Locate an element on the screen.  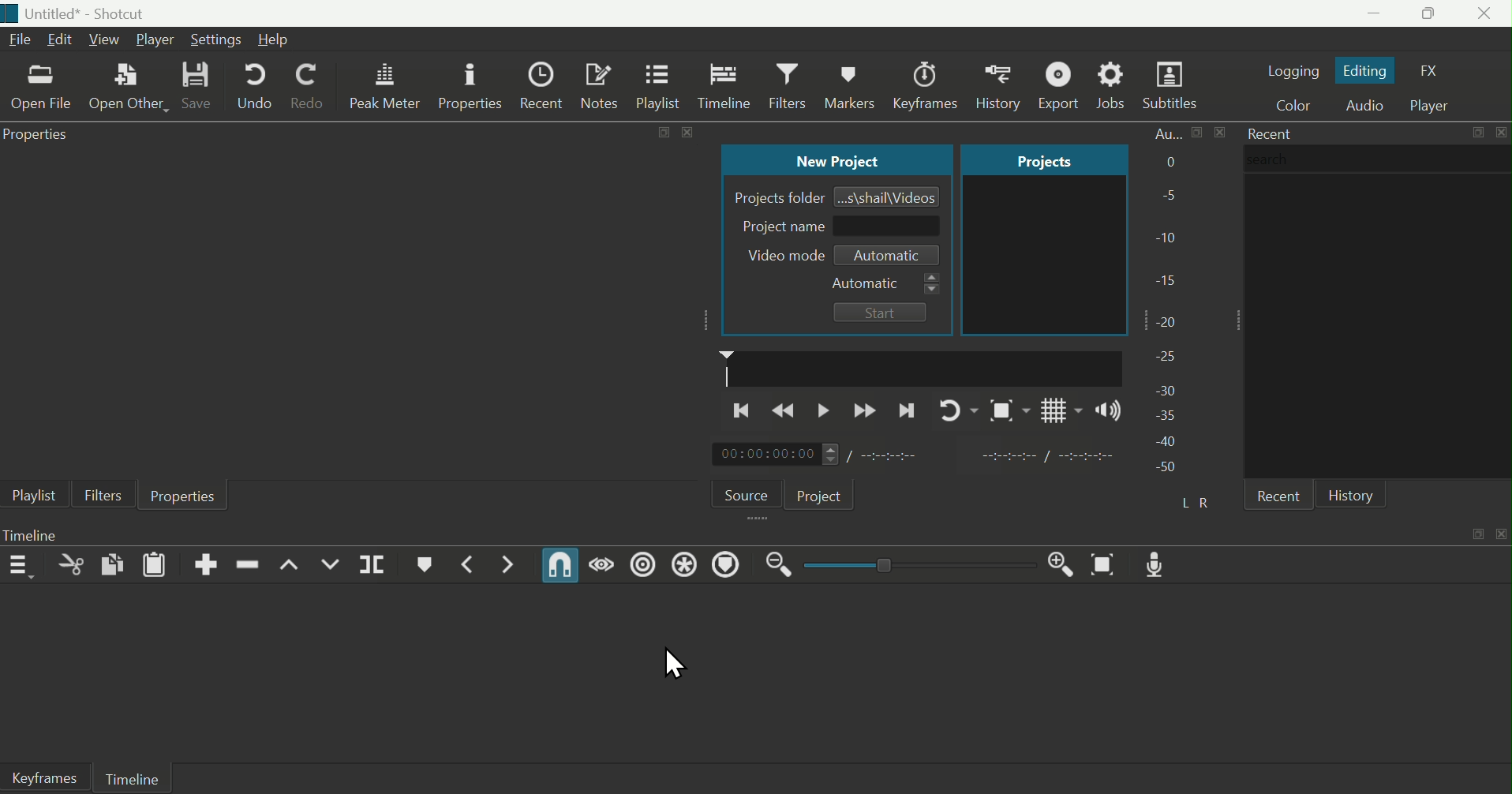
Grid layout is located at coordinates (1060, 409).